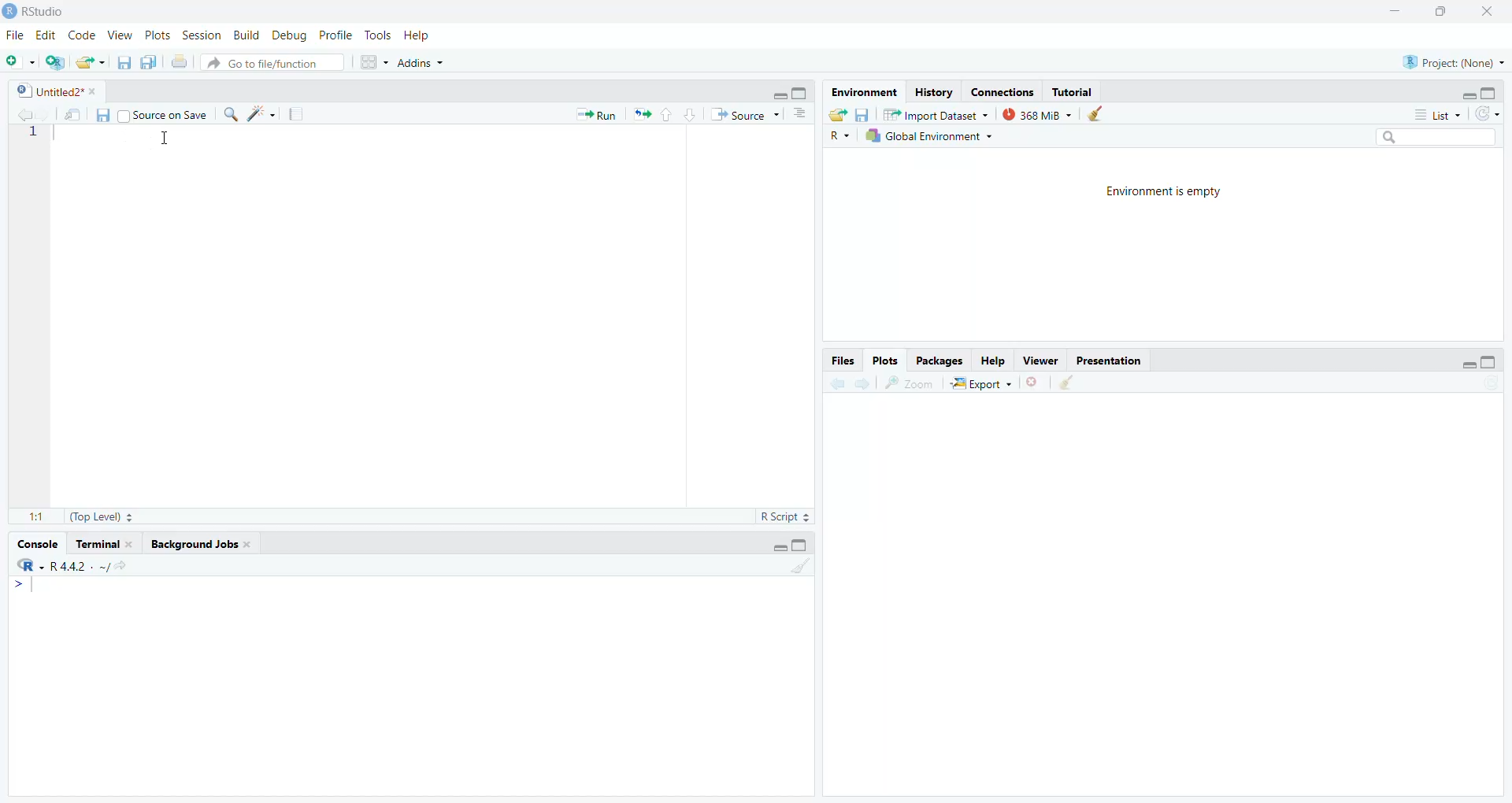 Image resolution: width=1512 pixels, height=803 pixels. Describe the element at coordinates (82, 35) in the screenshot. I see `Code` at that location.